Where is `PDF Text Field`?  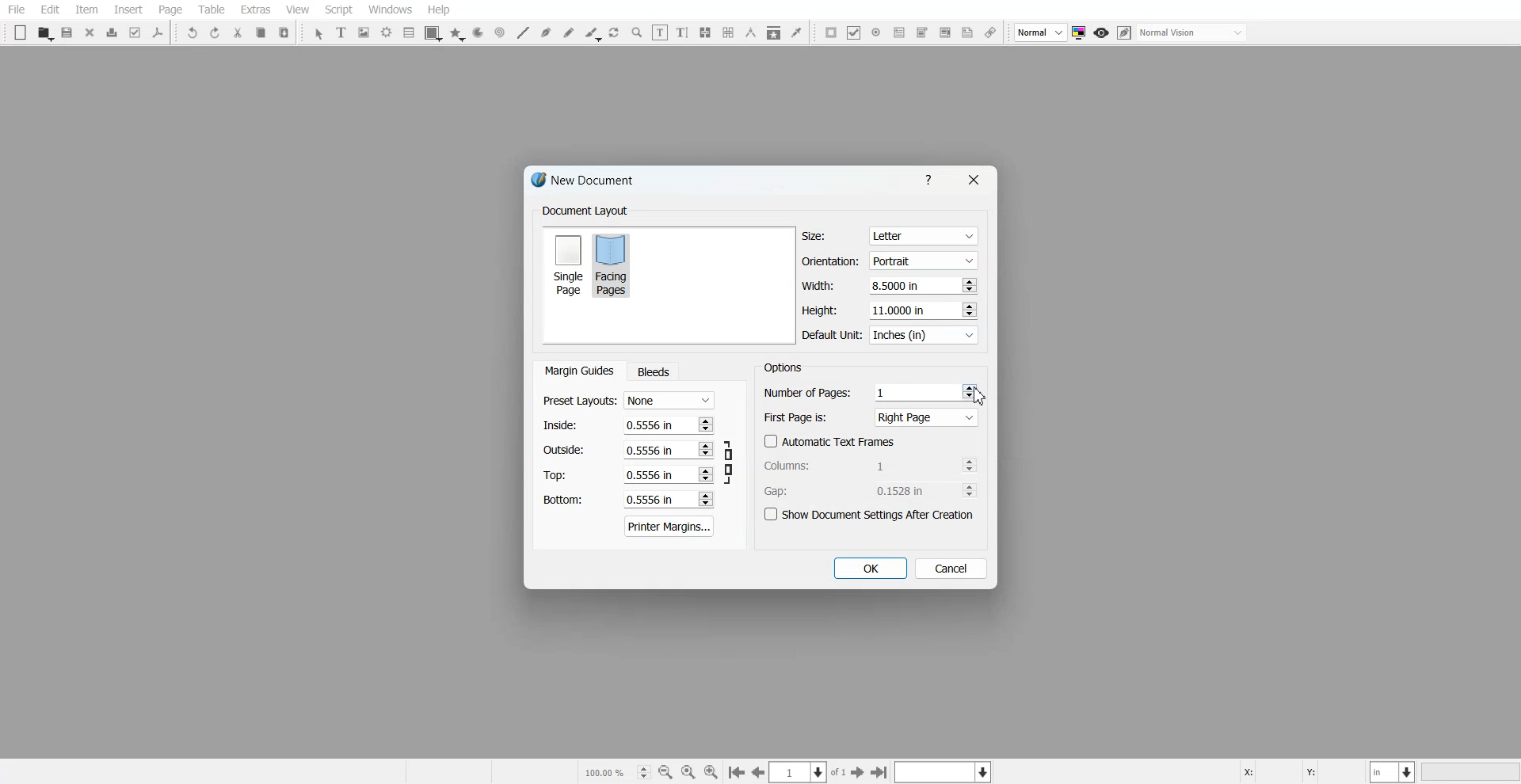 PDF Text Field is located at coordinates (899, 32).